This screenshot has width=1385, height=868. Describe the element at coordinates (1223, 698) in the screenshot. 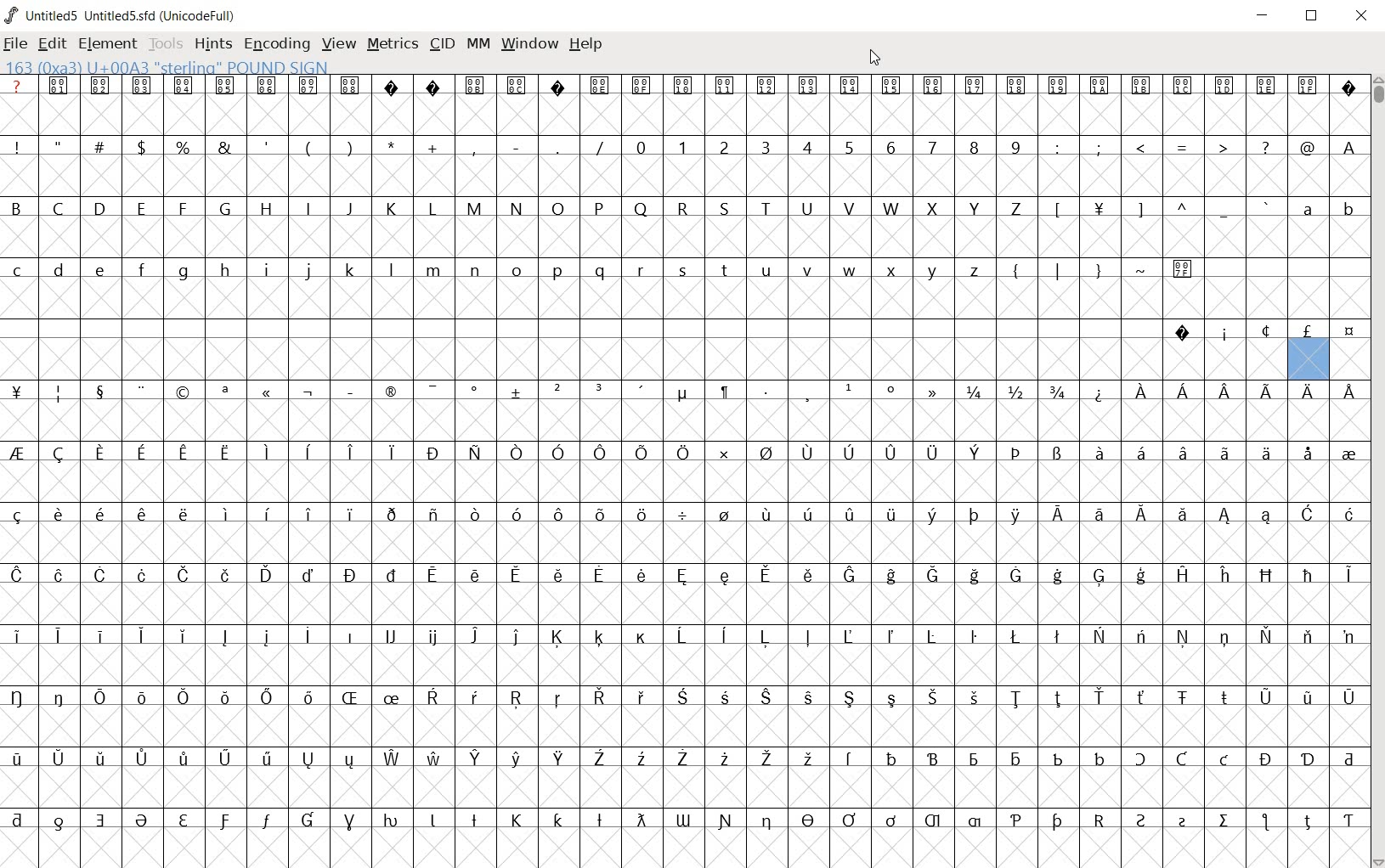

I see `Symbol` at that location.